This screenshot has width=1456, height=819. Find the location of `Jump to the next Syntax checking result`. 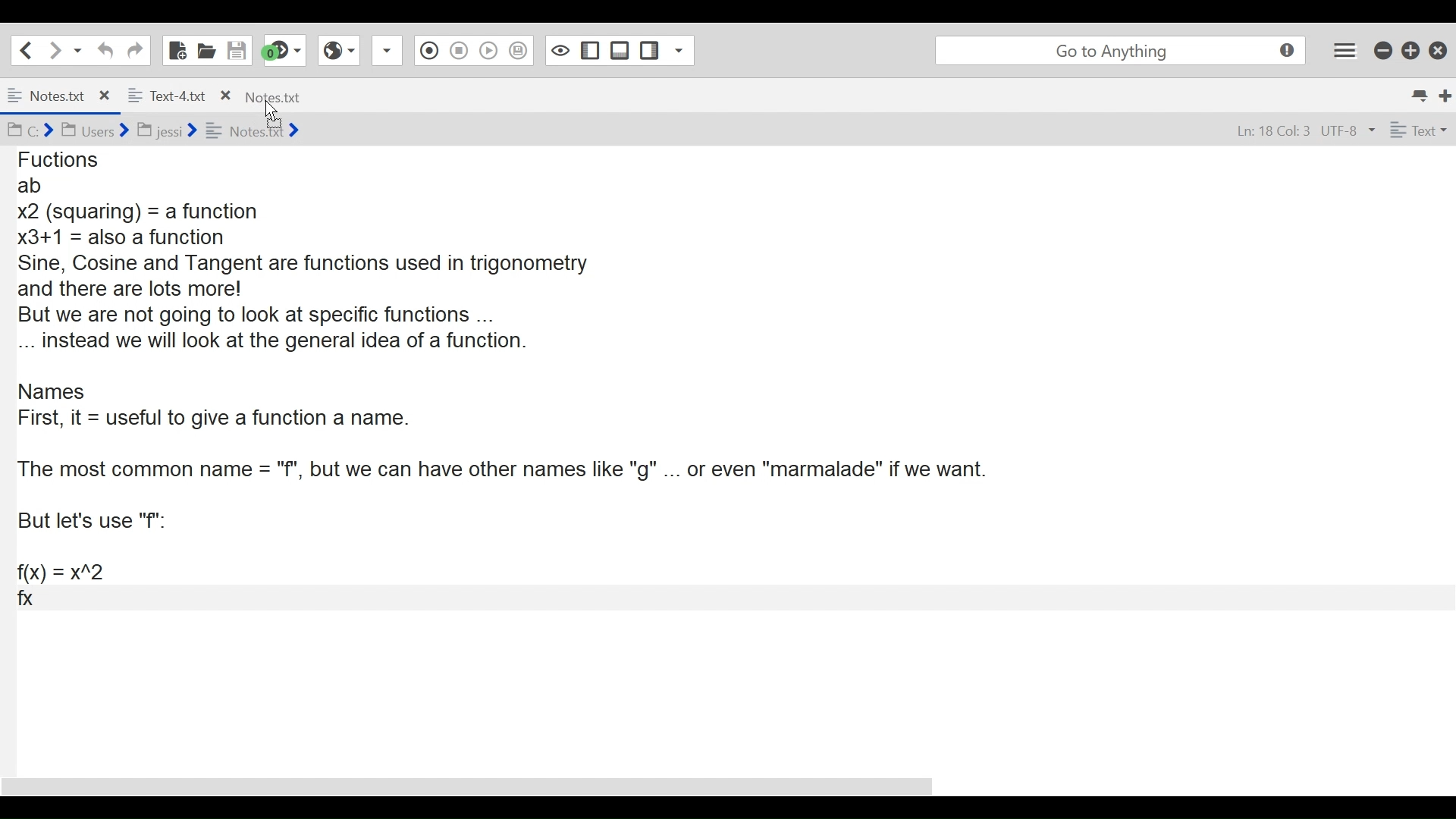

Jump to the next Syntax checking result is located at coordinates (284, 51).